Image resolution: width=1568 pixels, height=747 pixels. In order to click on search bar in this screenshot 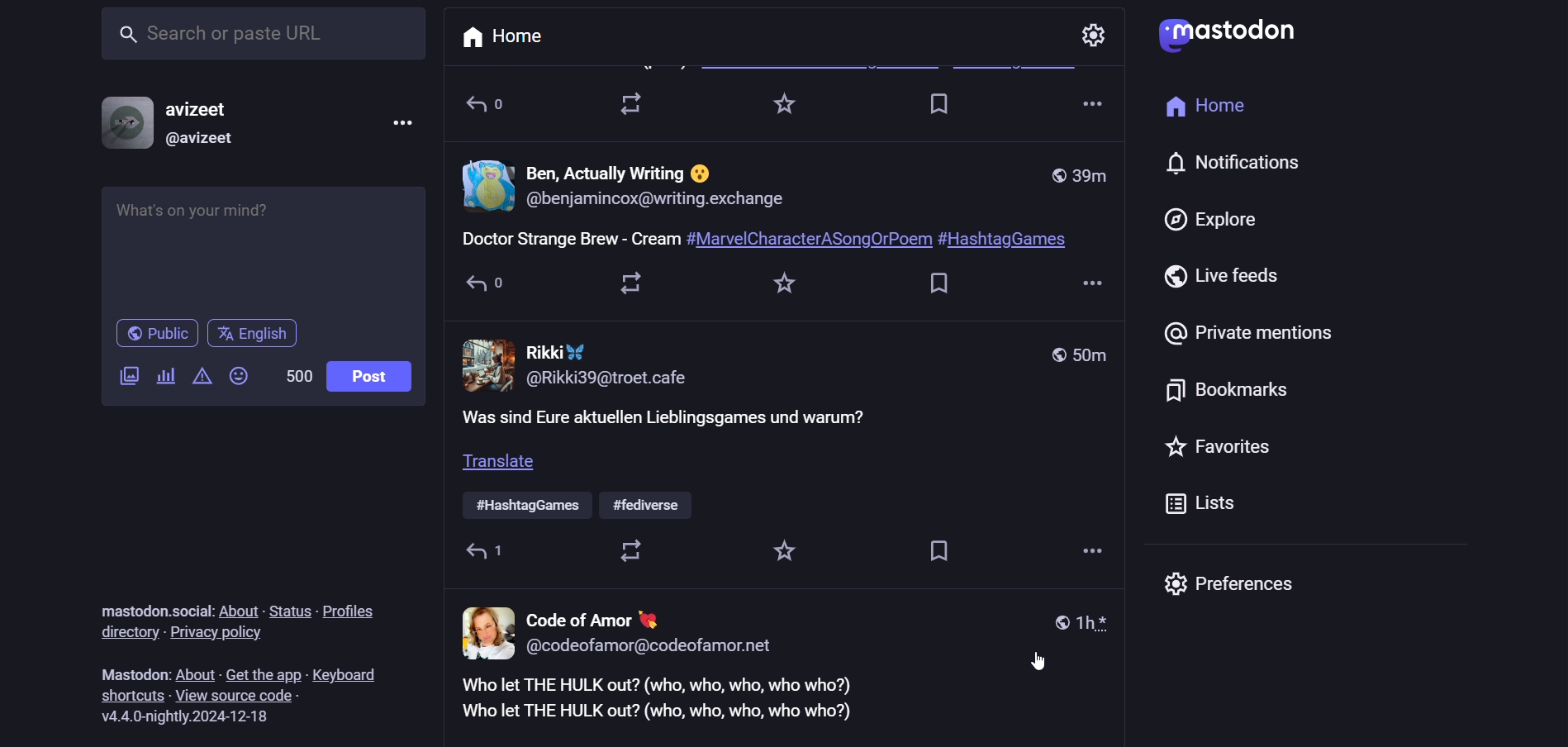, I will do `click(257, 36)`.